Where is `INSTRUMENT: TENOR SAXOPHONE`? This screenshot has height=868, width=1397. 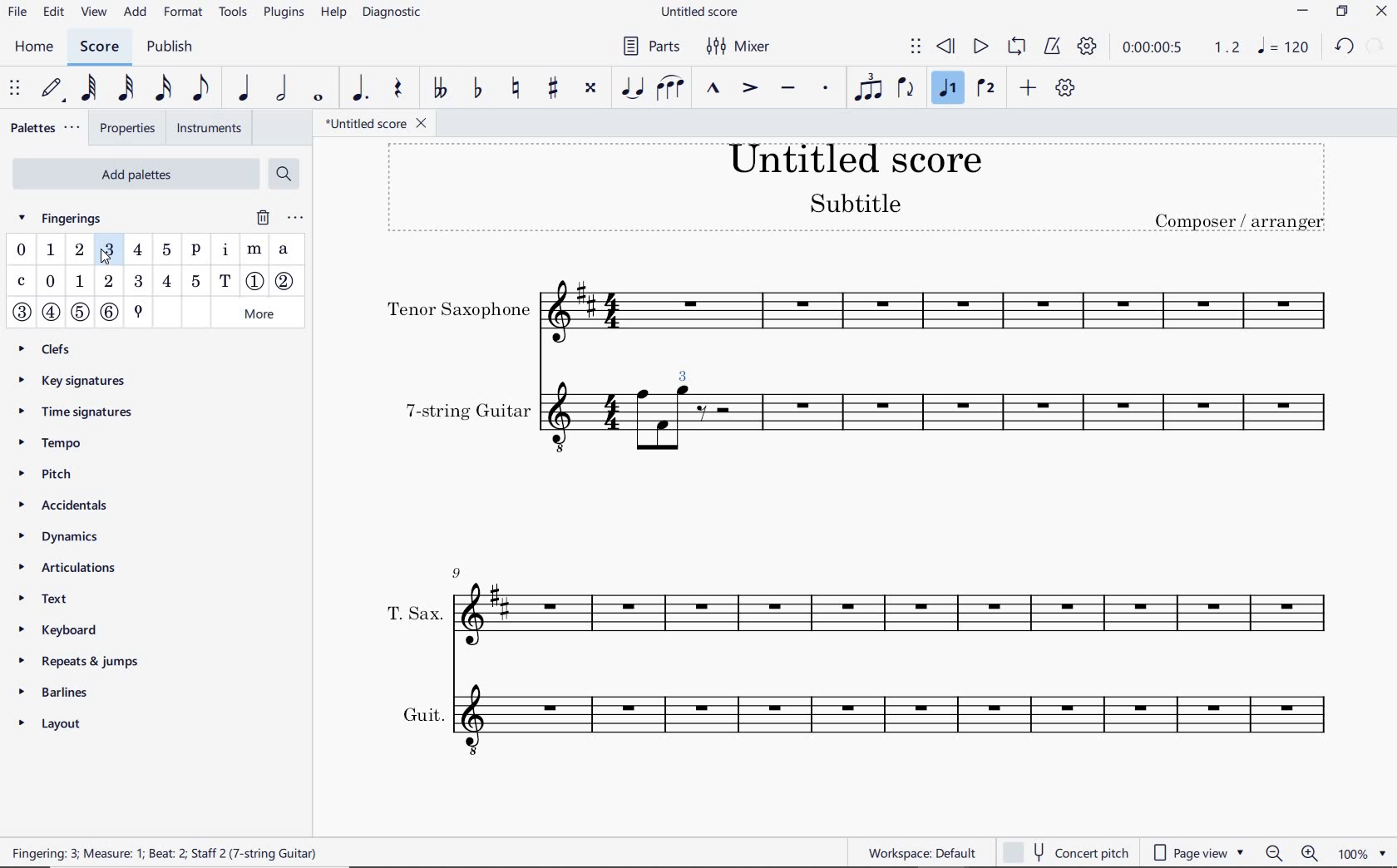 INSTRUMENT: TENOR SAXOPHONE is located at coordinates (860, 311).